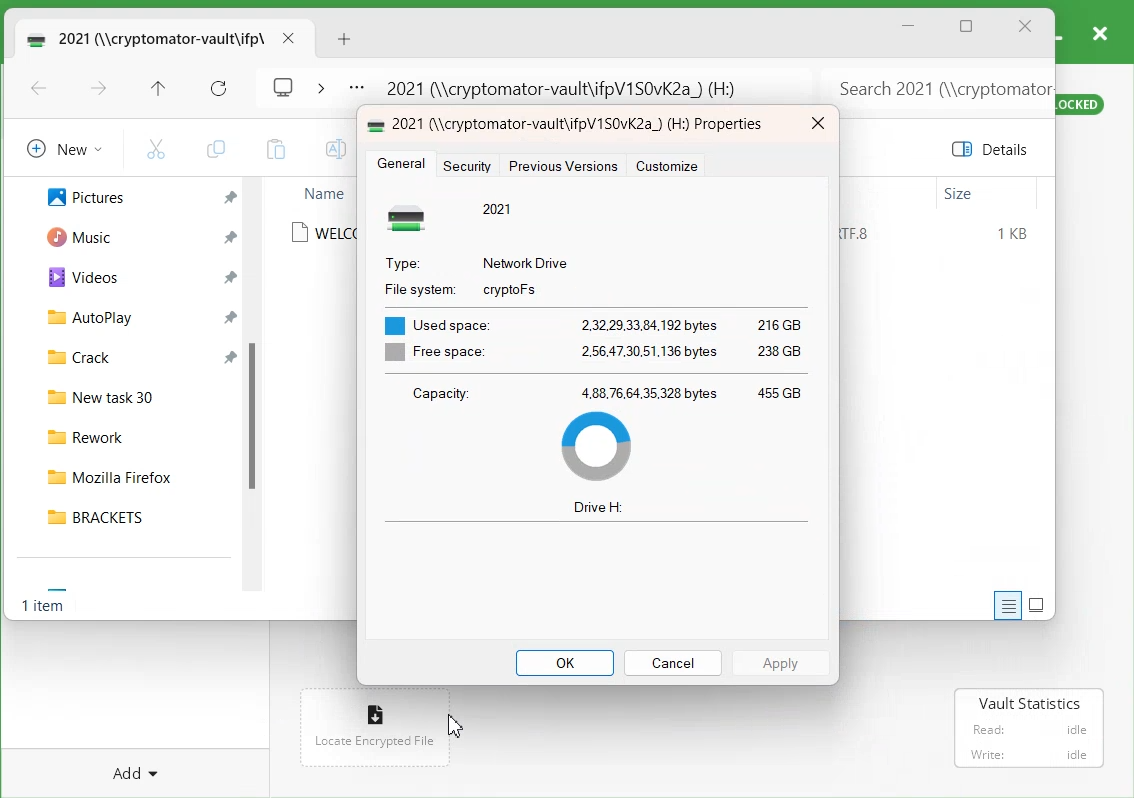  What do you see at coordinates (137, 770) in the screenshot?
I see `Add ` at bounding box center [137, 770].